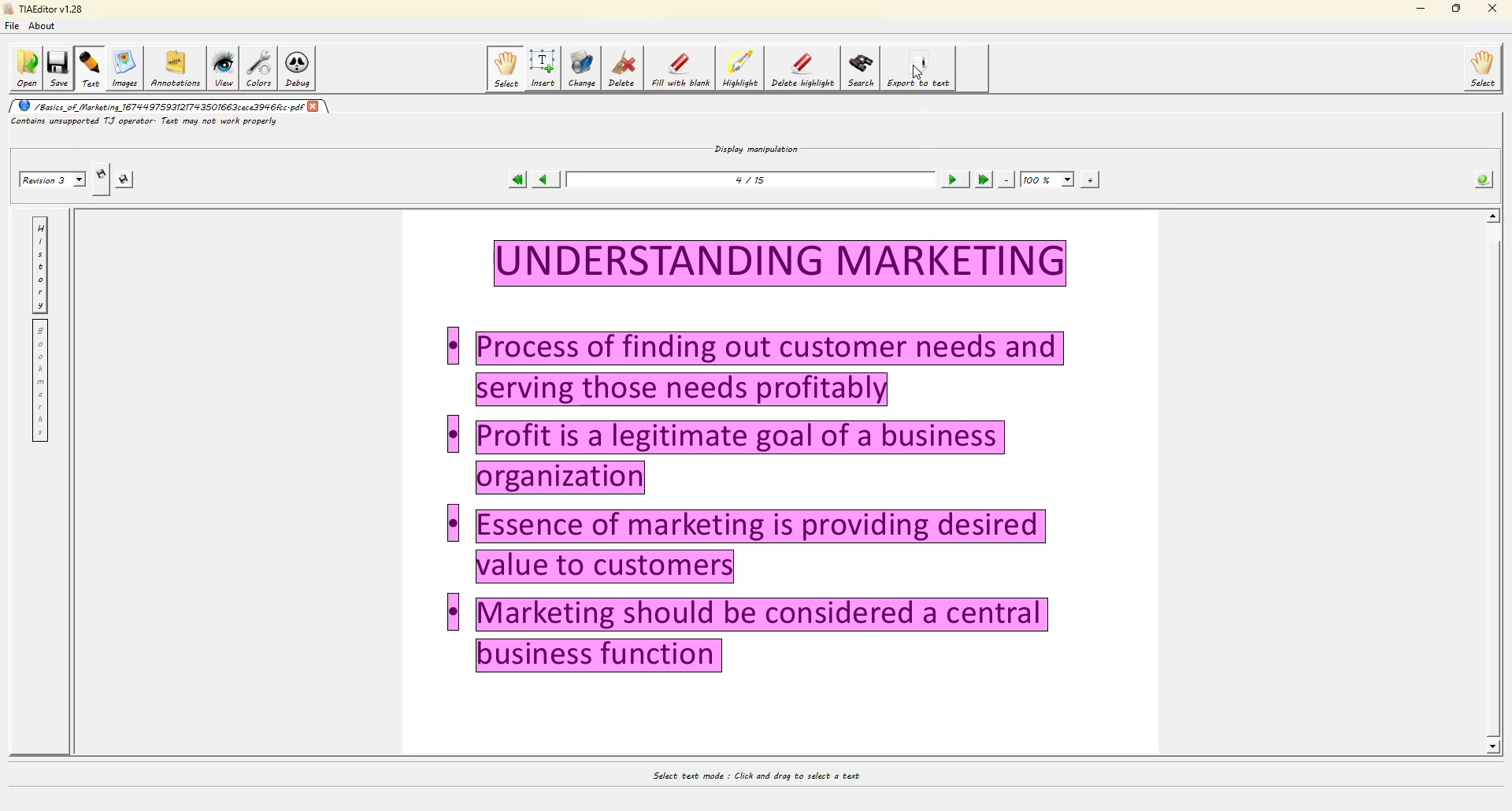  Describe the element at coordinates (749, 180) in the screenshot. I see `page number` at that location.